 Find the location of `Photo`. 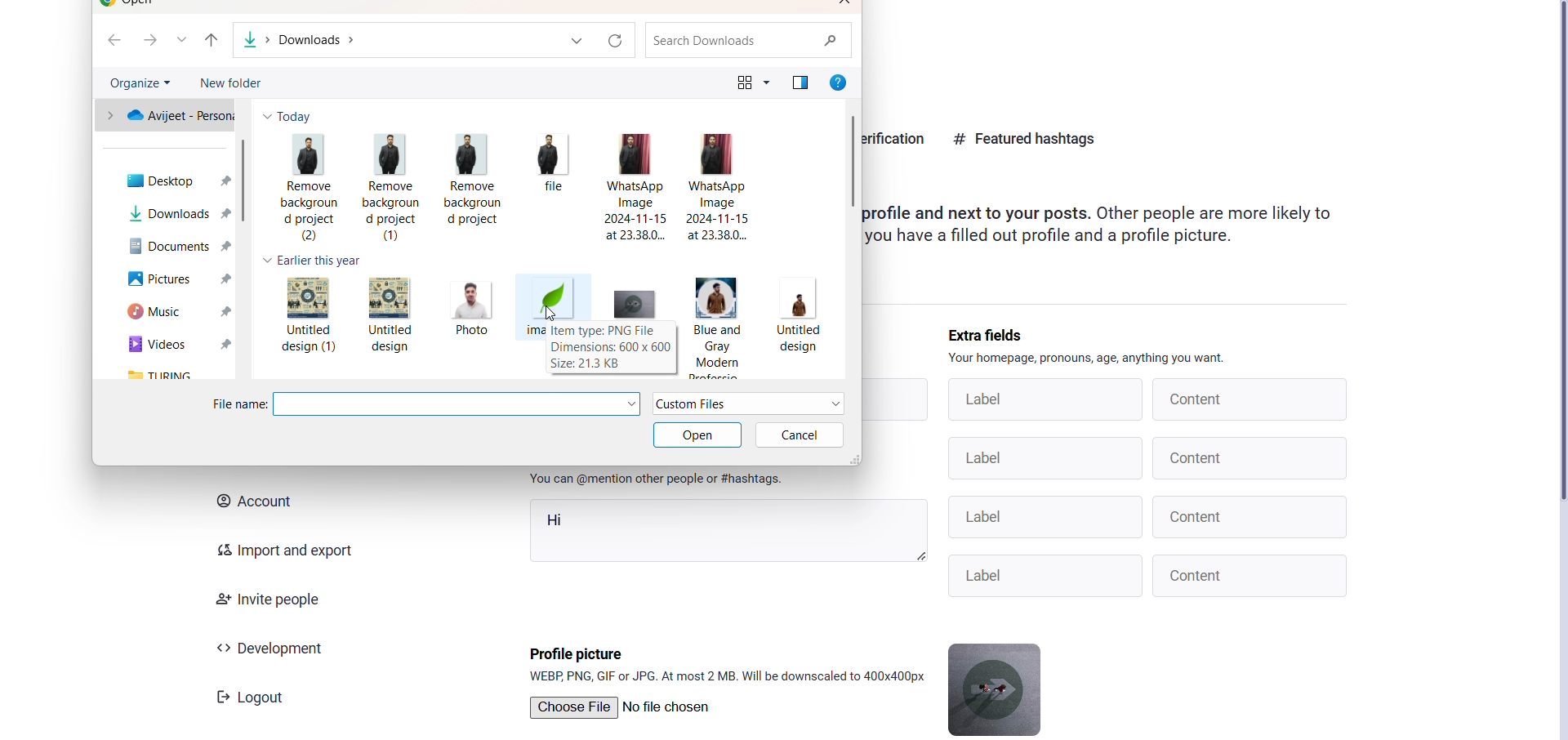

Photo is located at coordinates (469, 311).